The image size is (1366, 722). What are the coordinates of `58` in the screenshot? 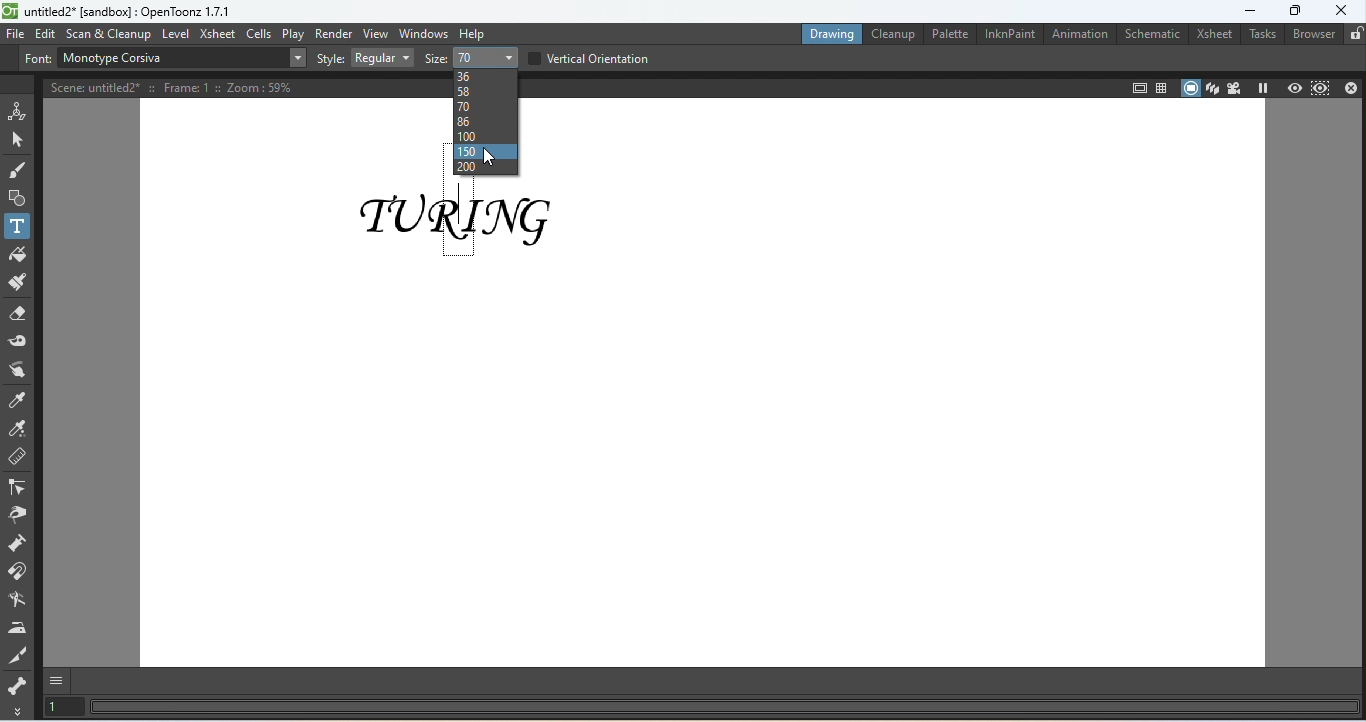 It's located at (482, 91).